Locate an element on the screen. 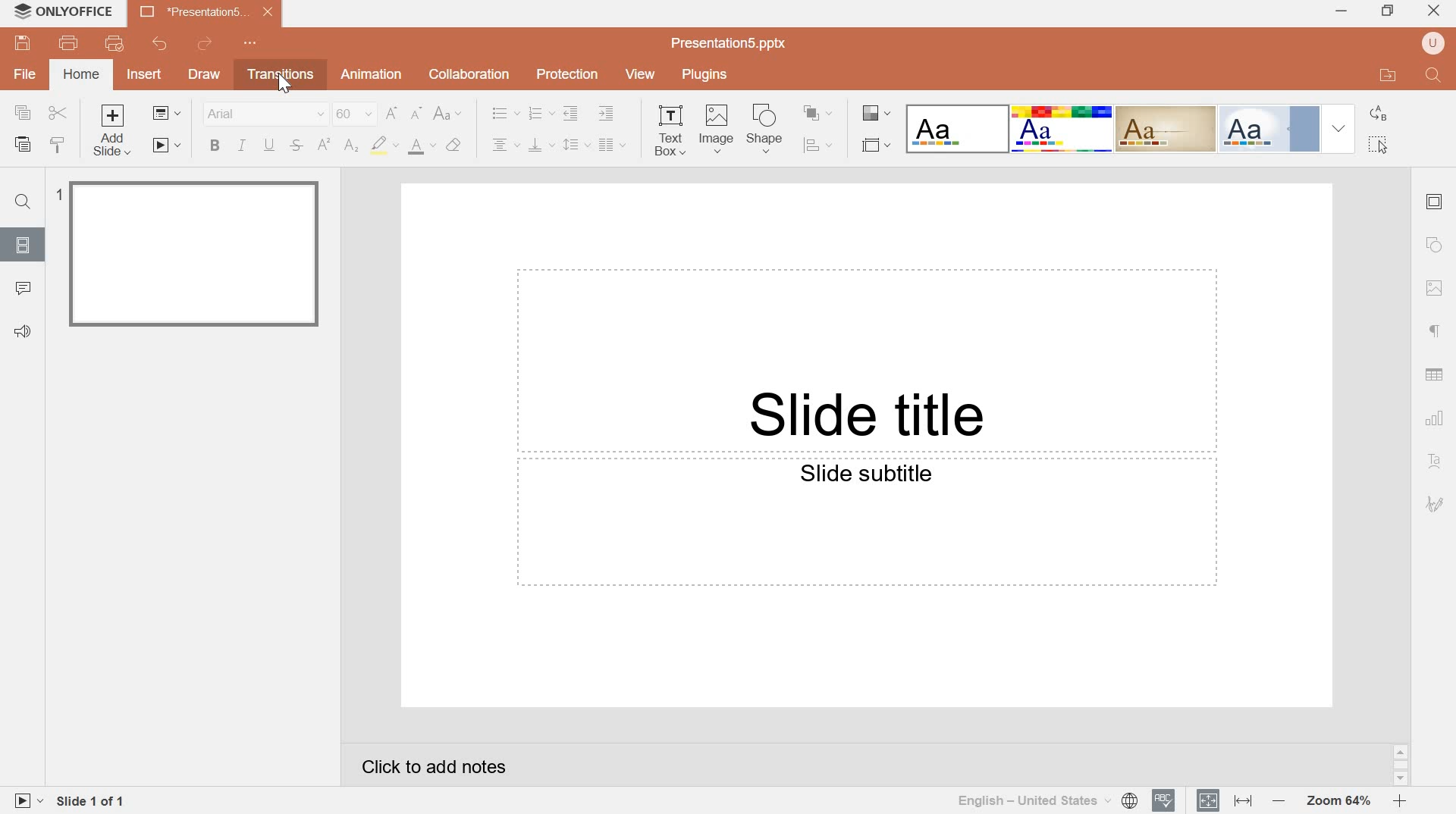 The height and width of the screenshot is (814, 1456). chart is located at coordinates (1436, 418).